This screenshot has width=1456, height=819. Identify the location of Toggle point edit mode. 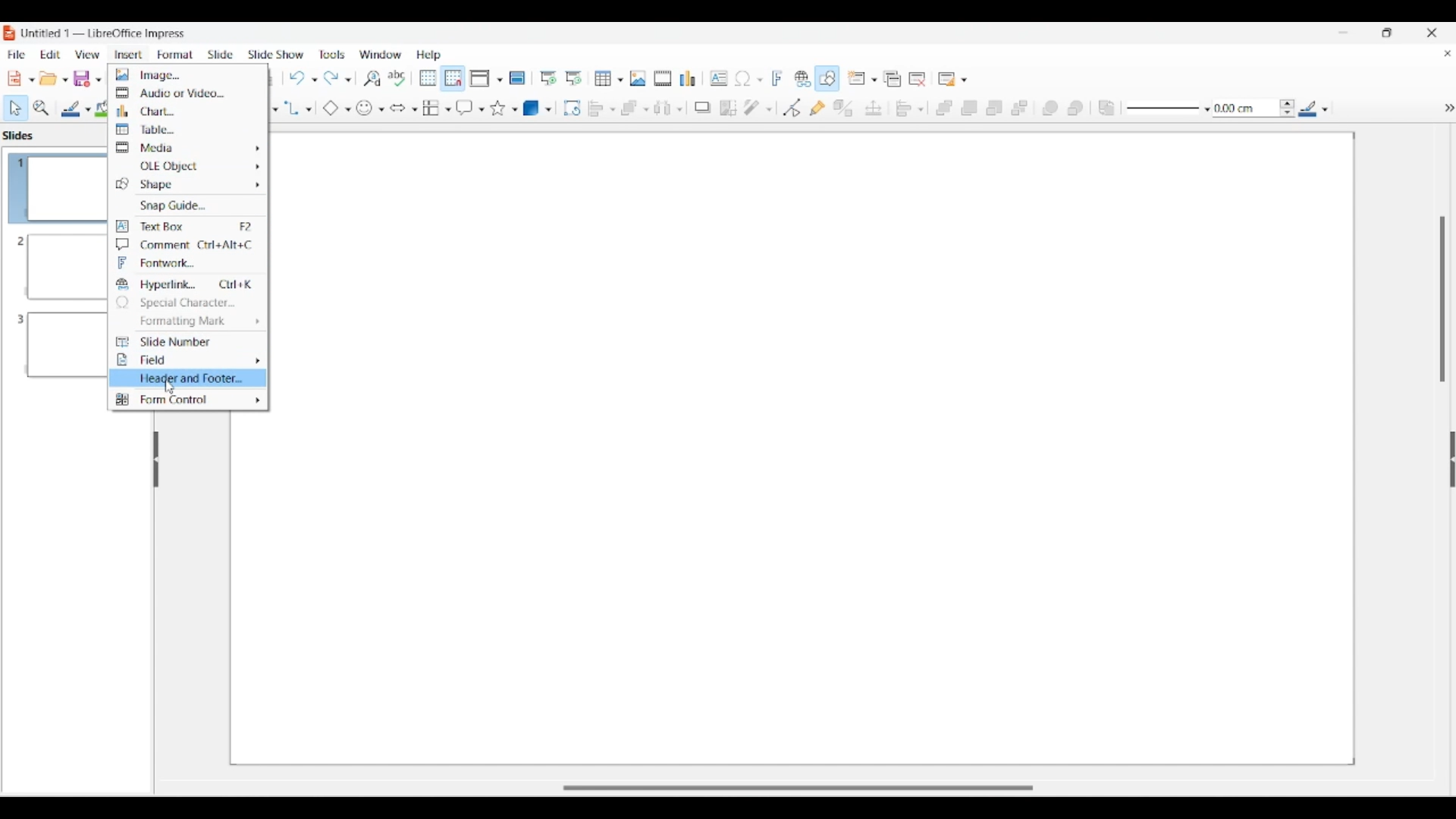
(792, 108).